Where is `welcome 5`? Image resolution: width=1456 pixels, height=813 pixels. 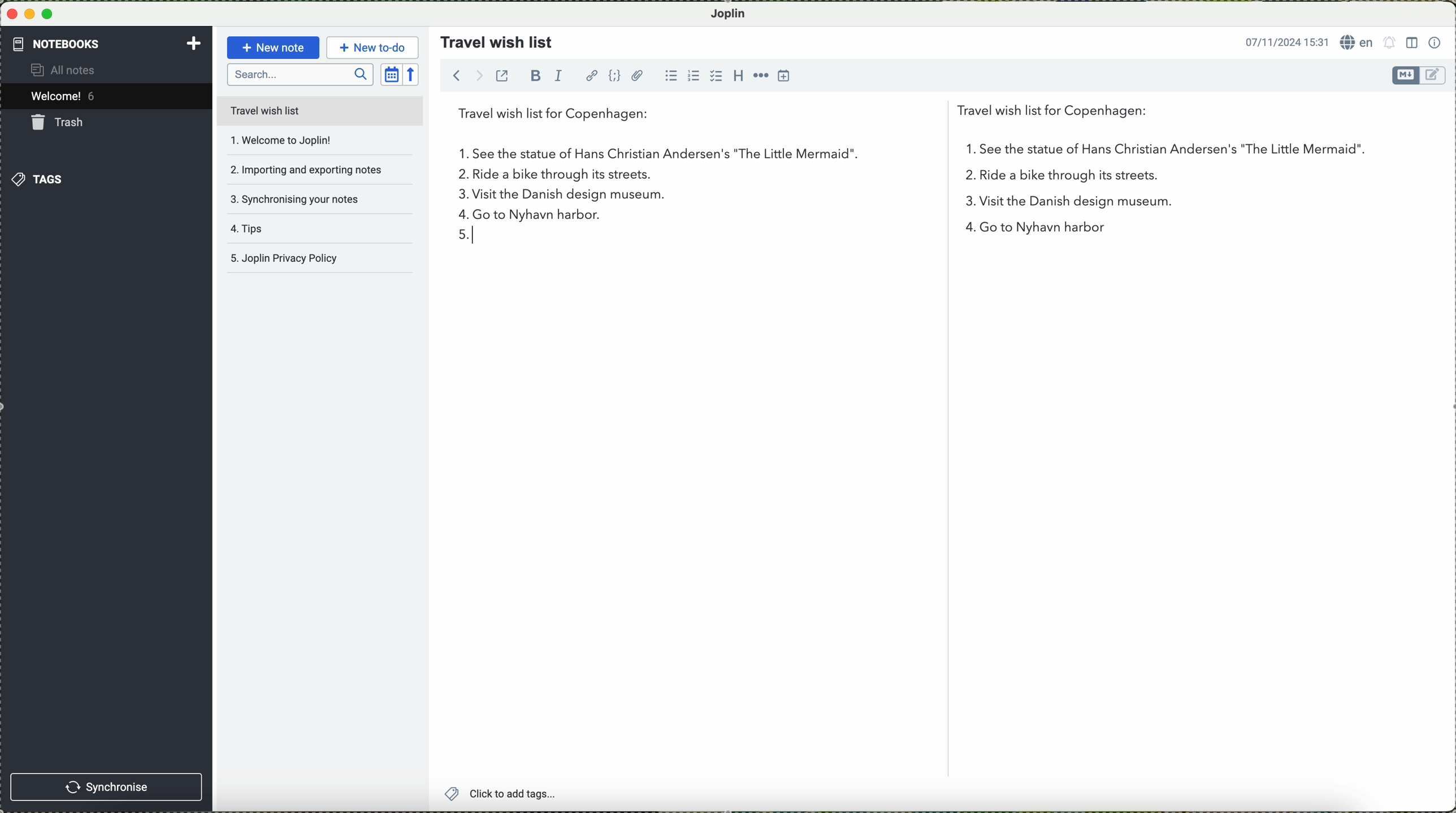
welcome 5 is located at coordinates (66, 98).